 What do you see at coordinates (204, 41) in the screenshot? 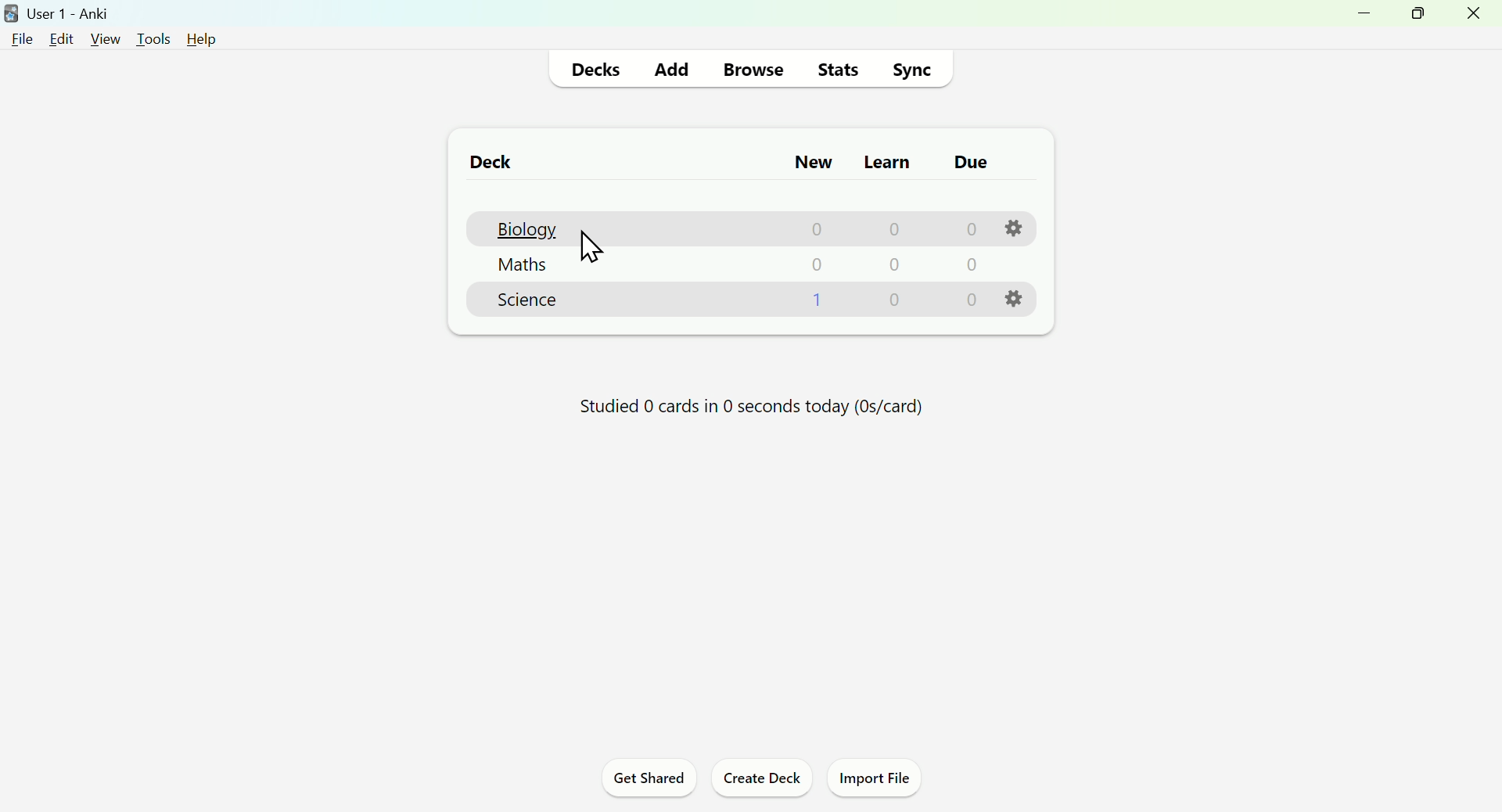
I see `help` at bounding box center [204, 41].